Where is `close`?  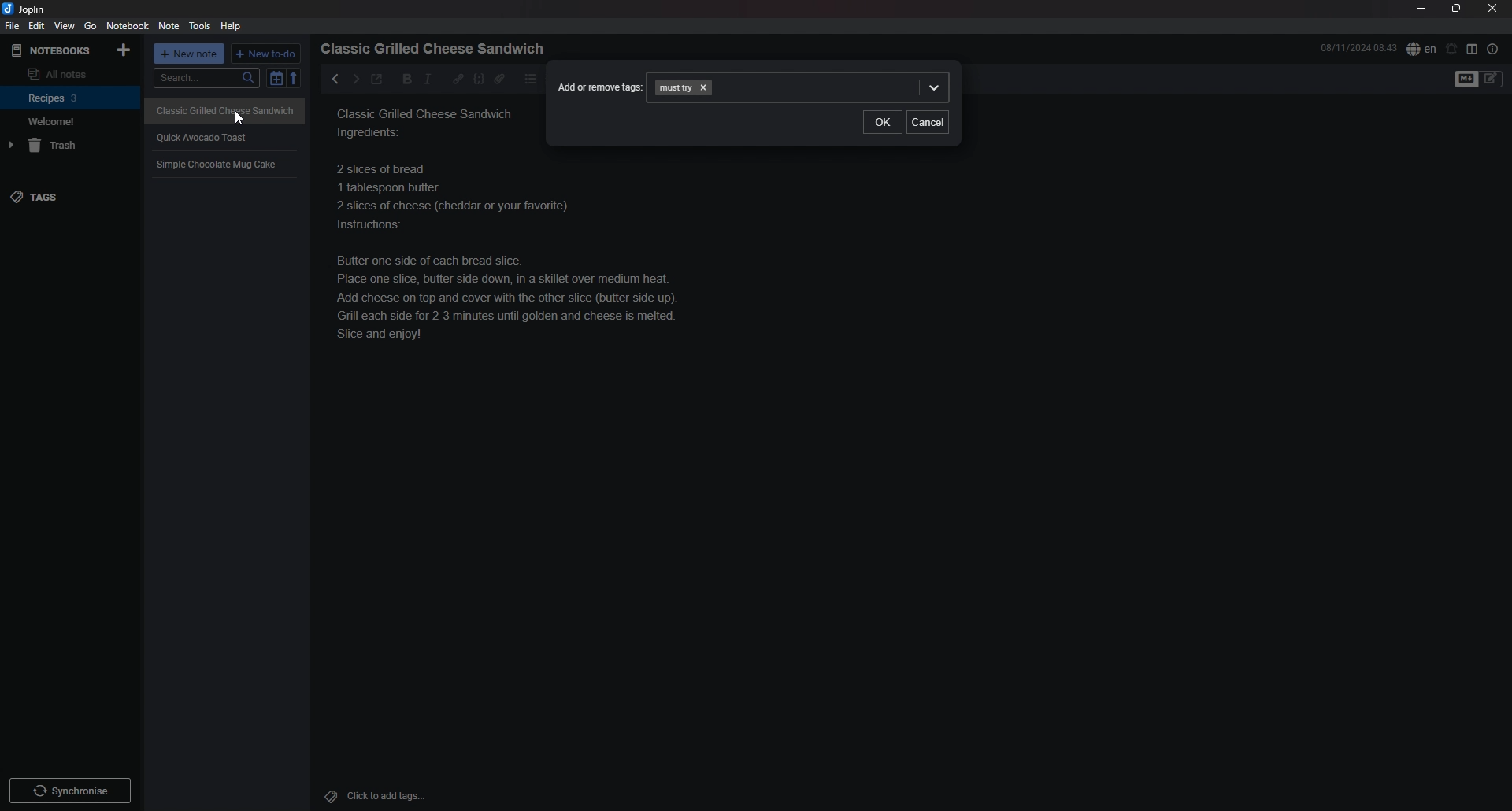 close is located at coordinates (1494, 8).